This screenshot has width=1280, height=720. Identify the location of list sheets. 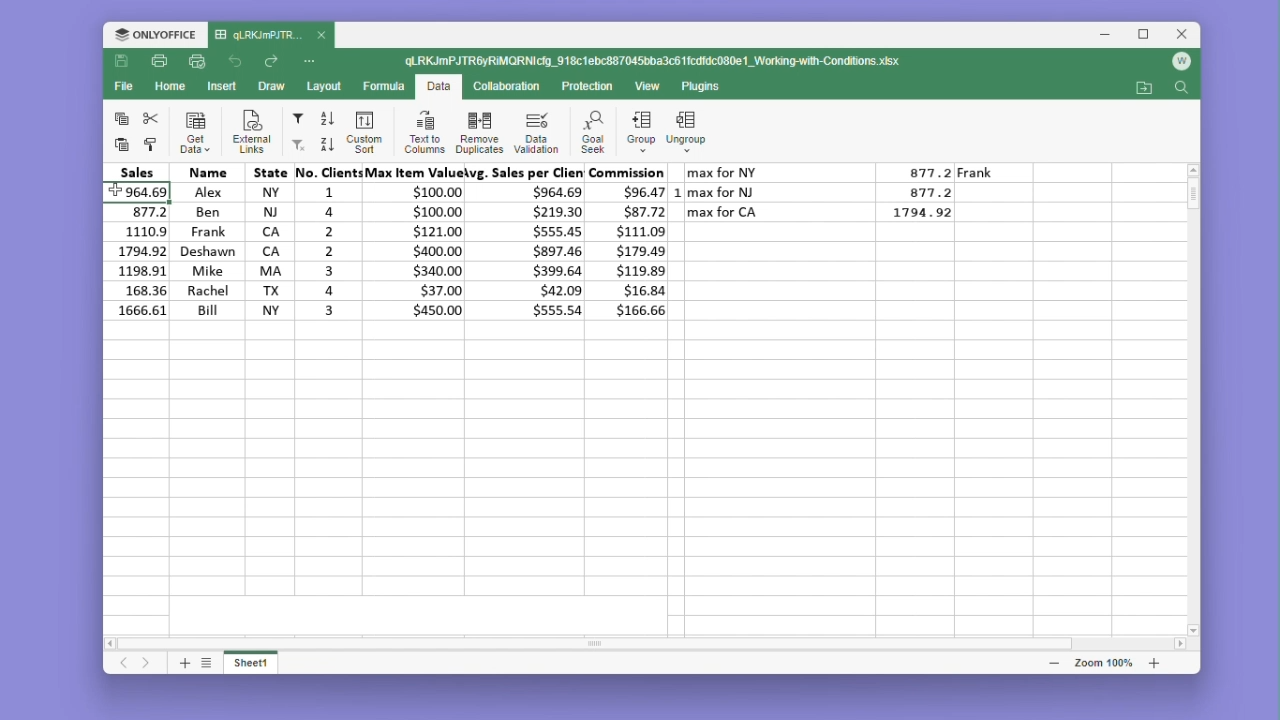
(207, 662).